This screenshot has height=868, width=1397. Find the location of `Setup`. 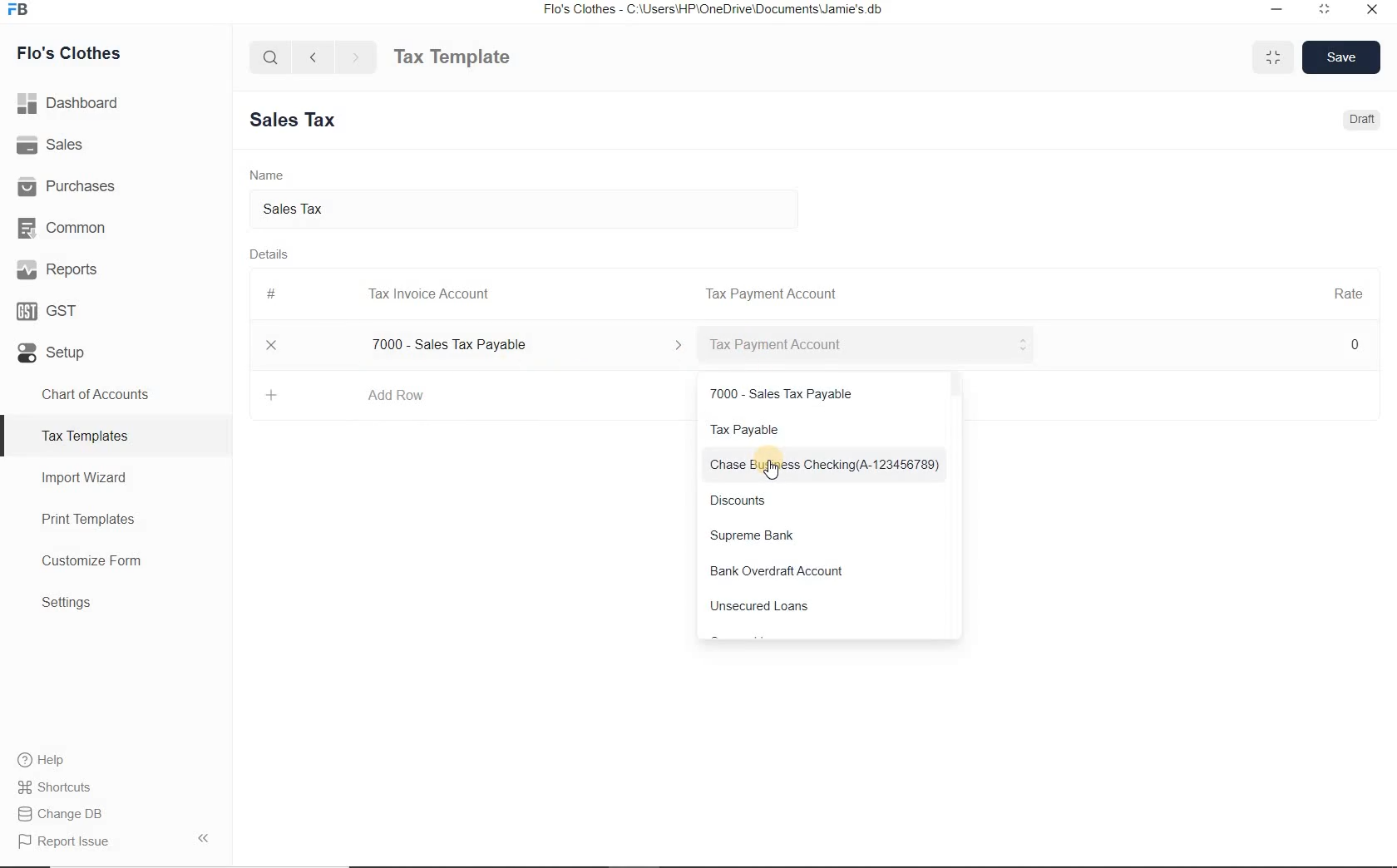

Setup is located at coordinates (116, 349).